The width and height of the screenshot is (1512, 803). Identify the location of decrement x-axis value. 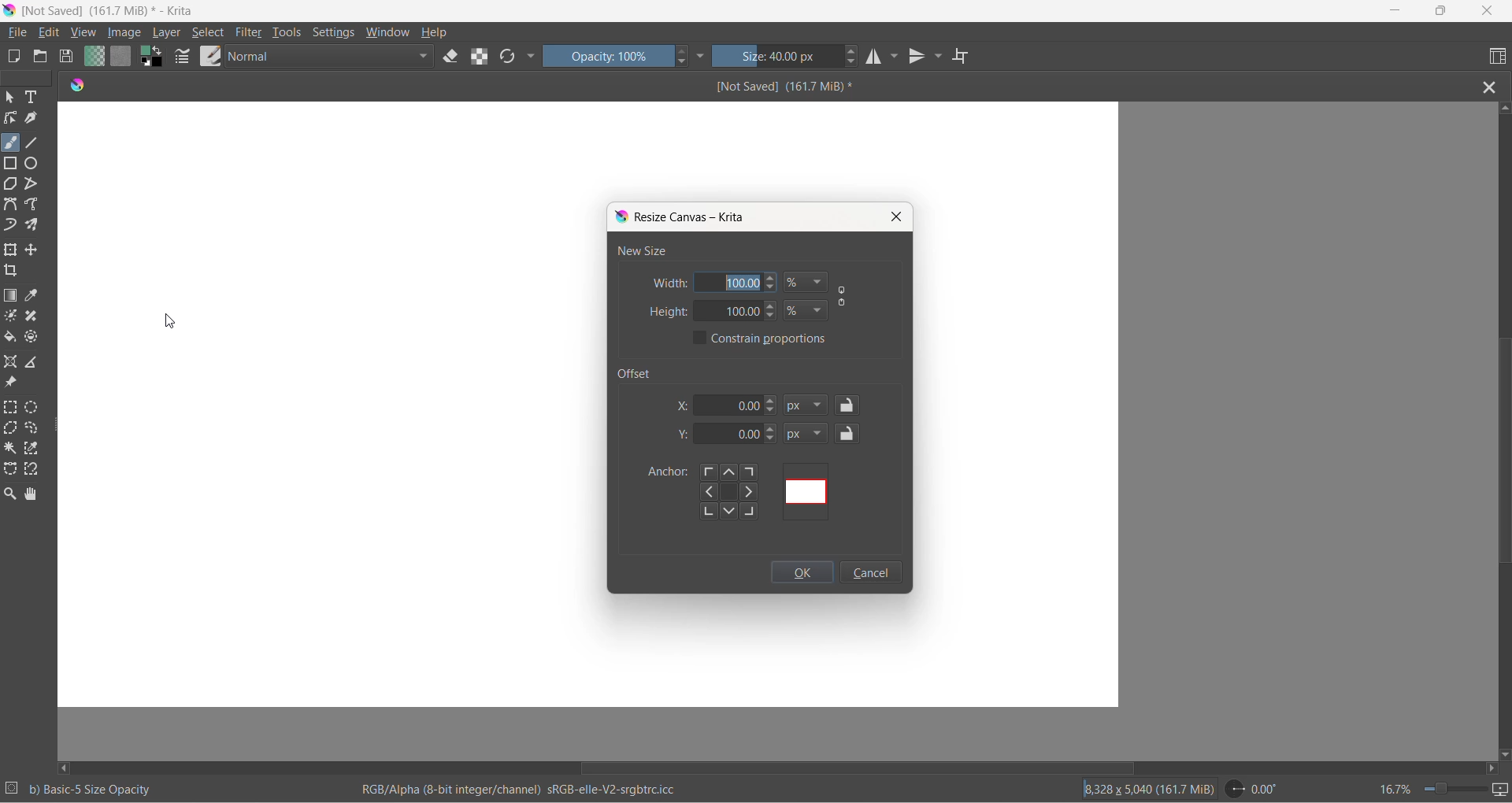
(772, 412).